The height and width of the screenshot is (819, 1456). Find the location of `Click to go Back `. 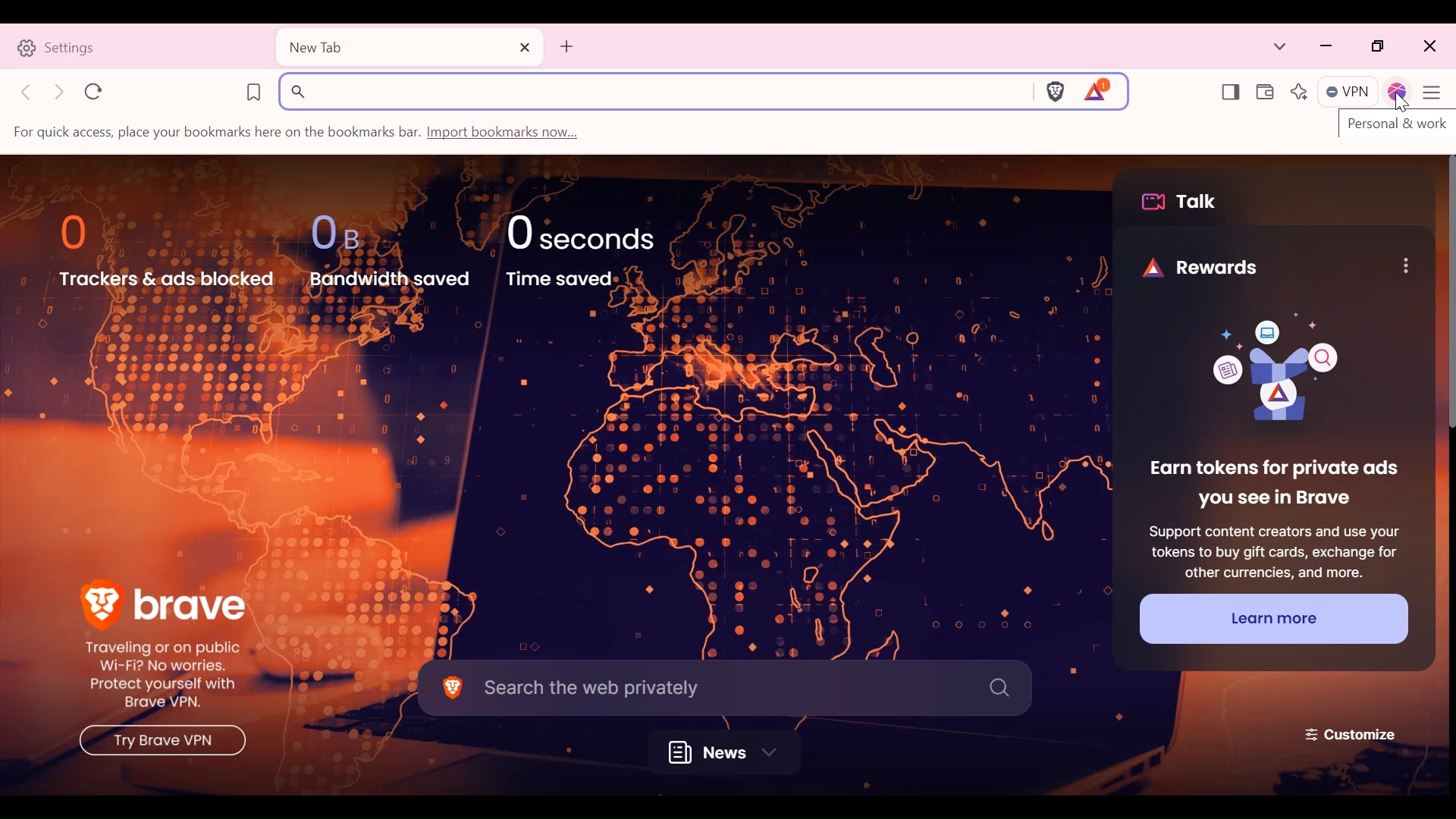

Click to go Back  is located at coordinates (28, 91).